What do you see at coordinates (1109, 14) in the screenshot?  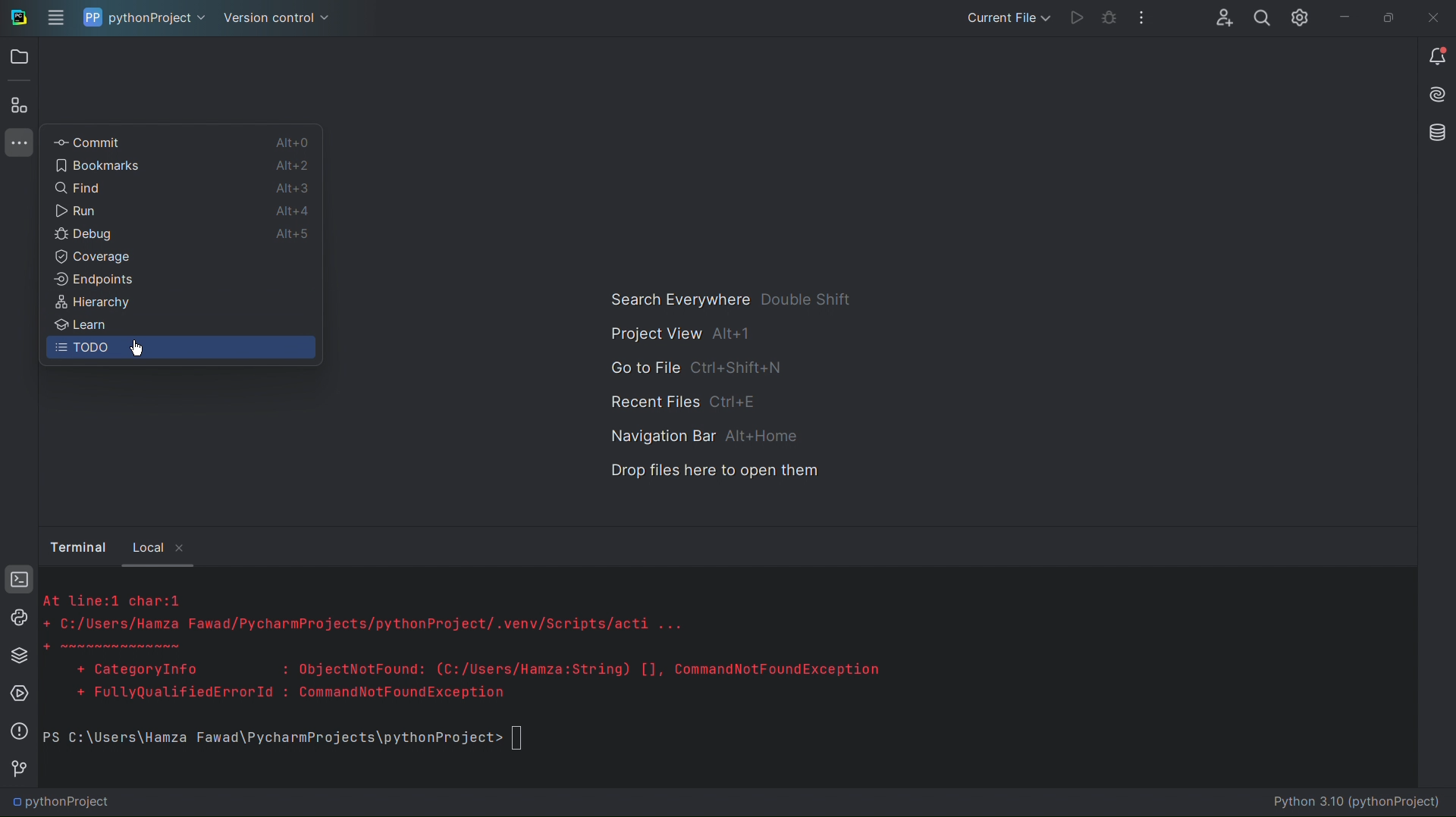 I see `Debug` at bounding box center [1109, 14].